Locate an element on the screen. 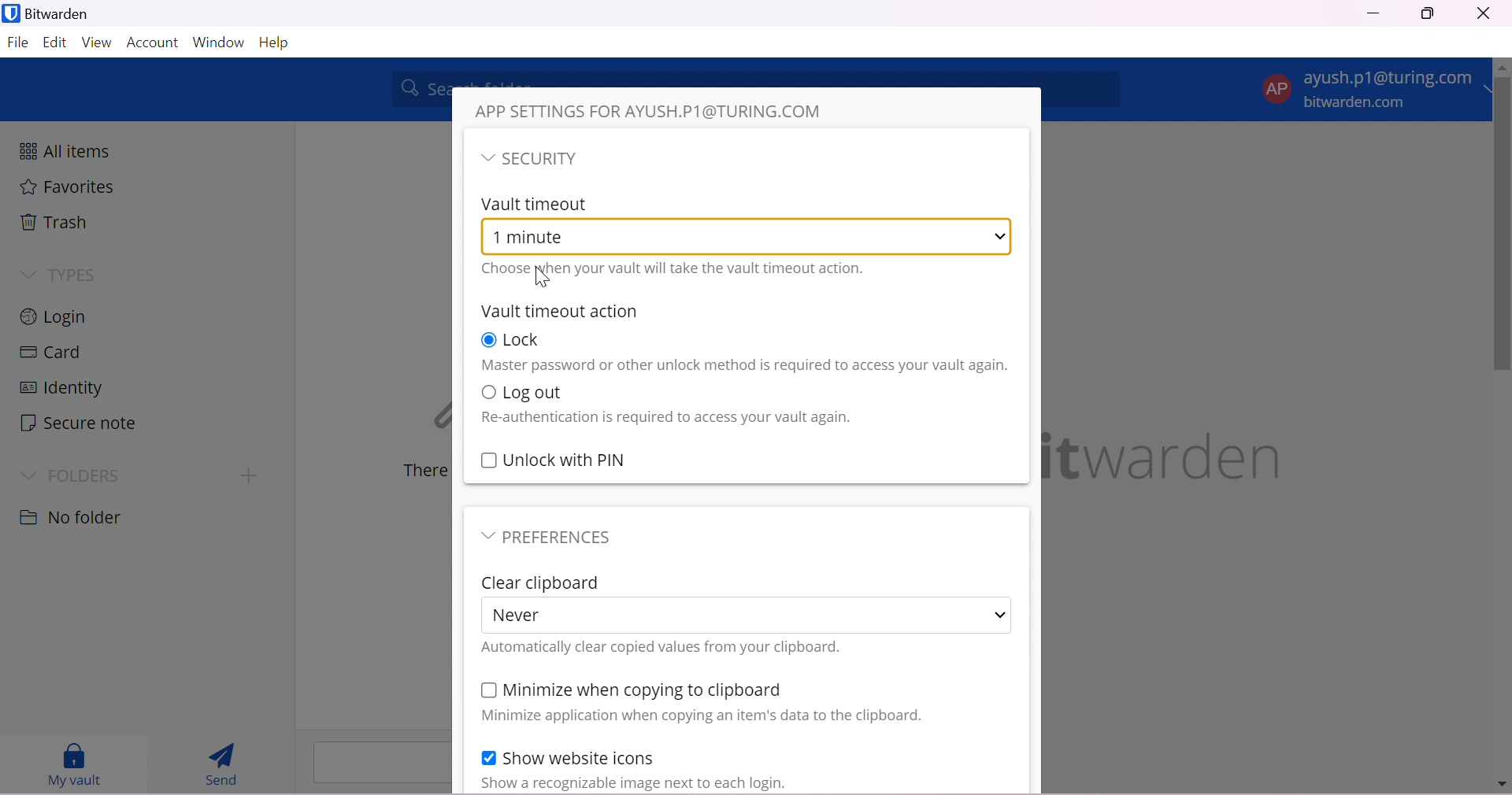 The image size is (1512, 795). 1 minute is located at coordinates (543, 238).